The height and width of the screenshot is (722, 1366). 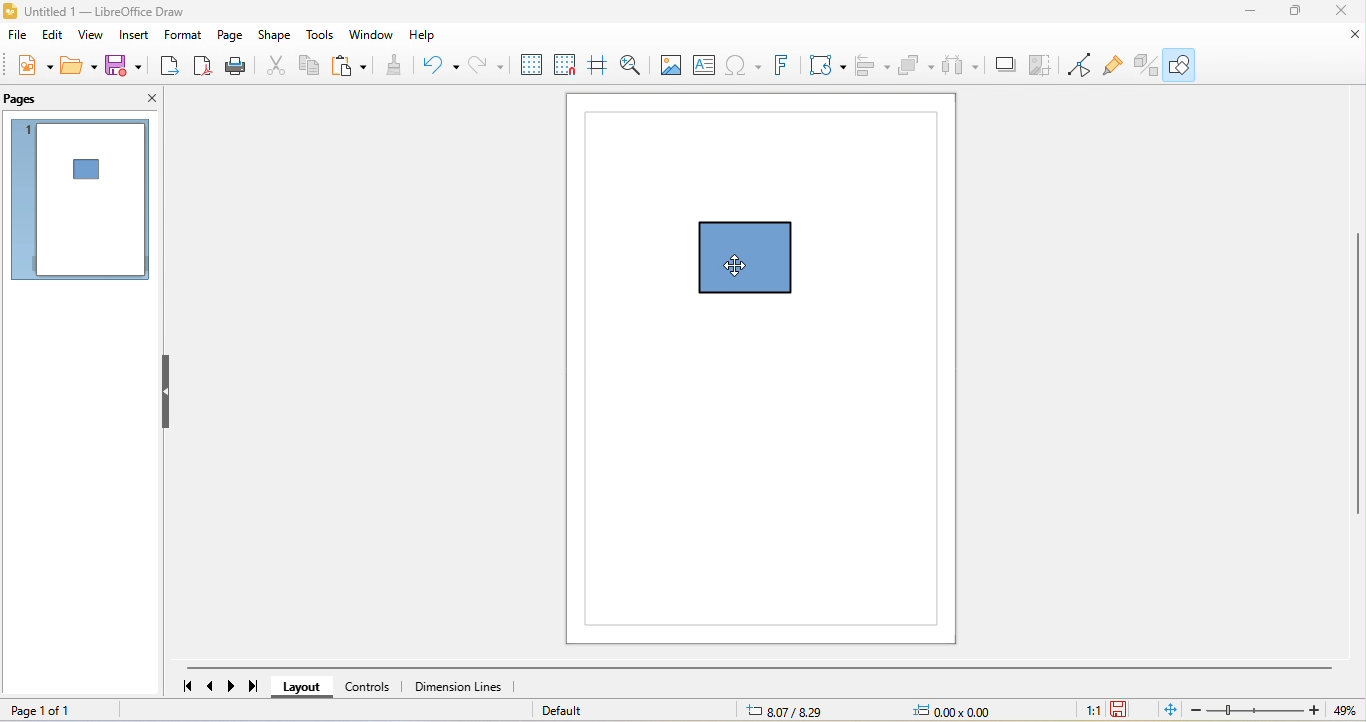 I want to click on cursor, so click(x=732, y=264).